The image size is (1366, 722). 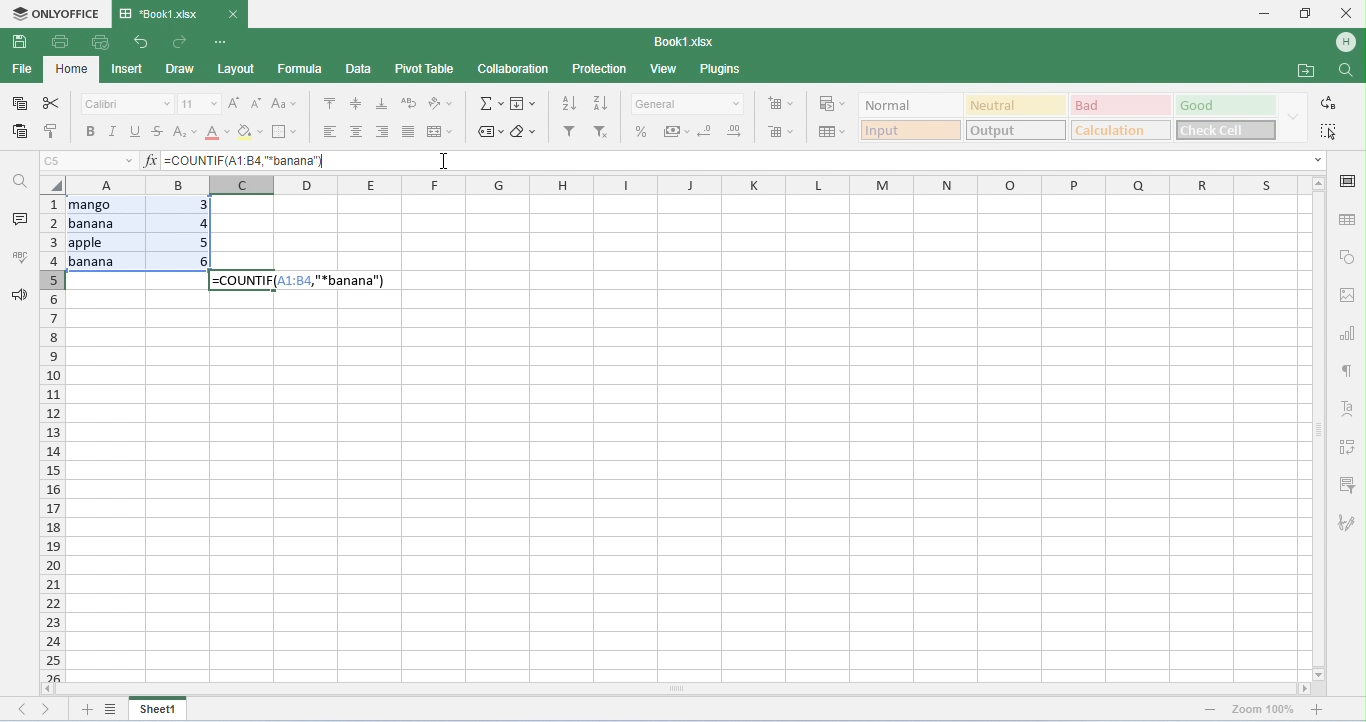 I want to click on check cell, so click(x=1224, y=130).